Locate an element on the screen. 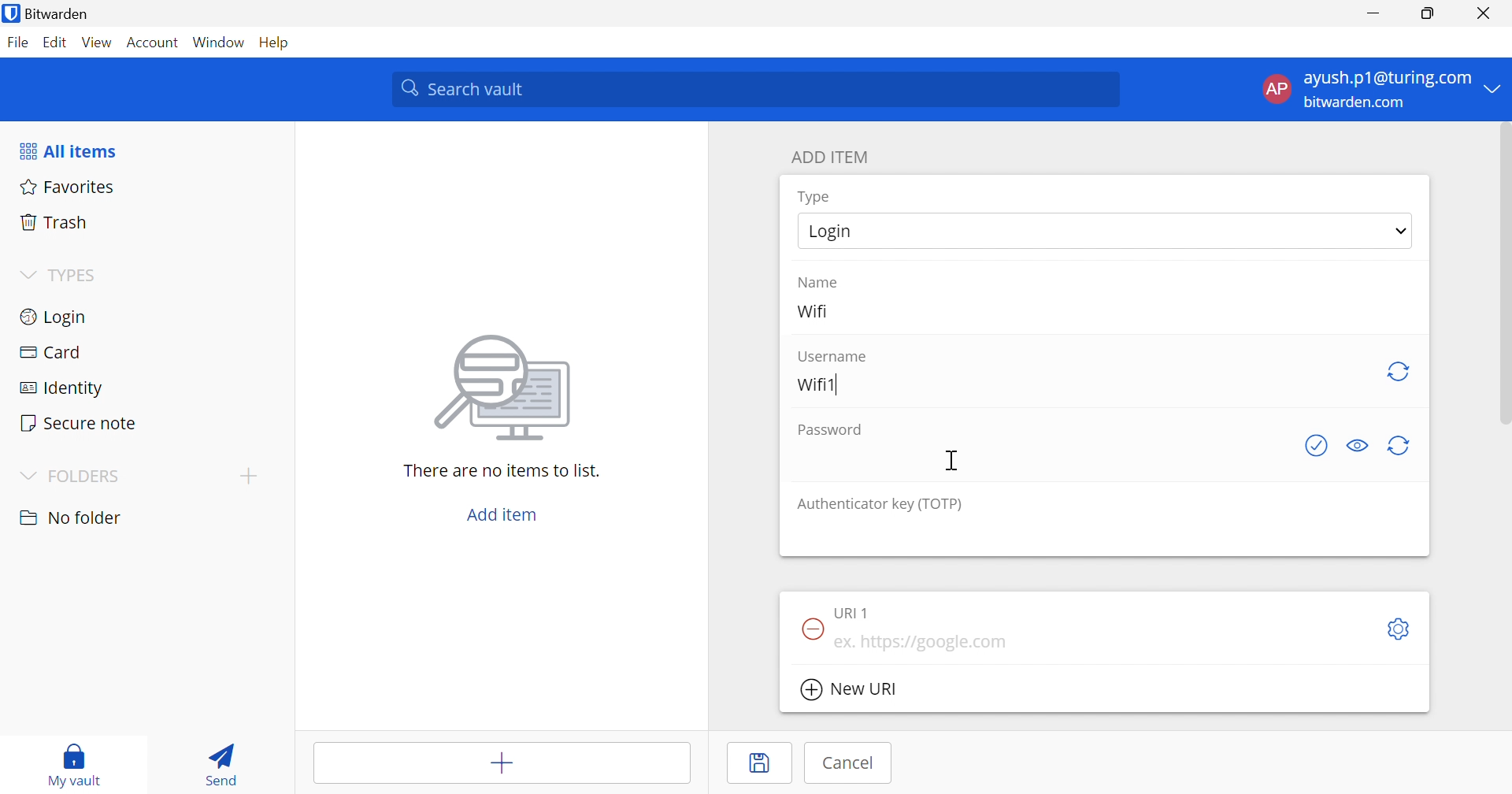  File is located at coordinates (17, 42).